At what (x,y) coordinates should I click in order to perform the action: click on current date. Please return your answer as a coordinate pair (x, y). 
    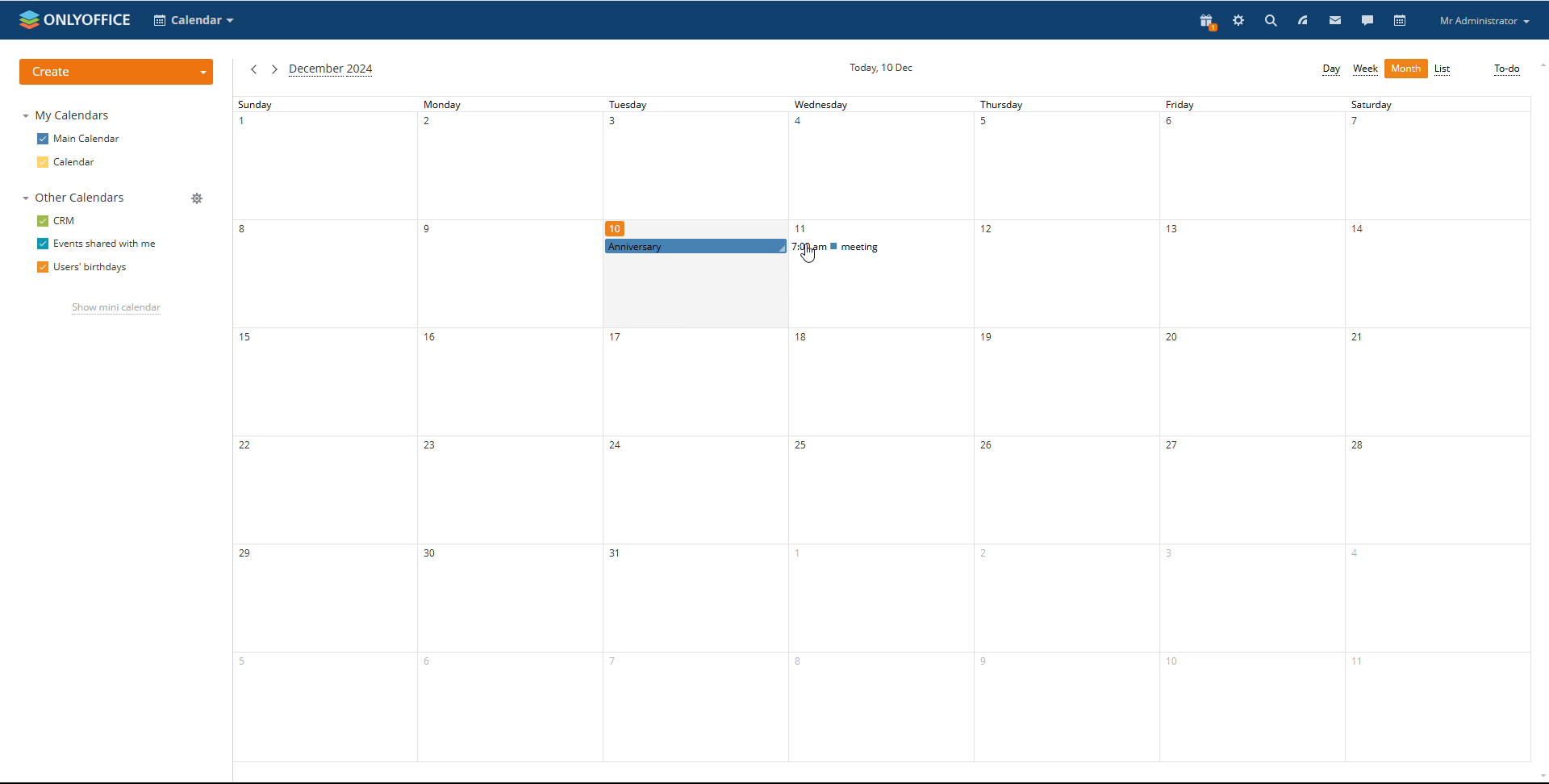
    Looking at the image, I should click on (883, 67).